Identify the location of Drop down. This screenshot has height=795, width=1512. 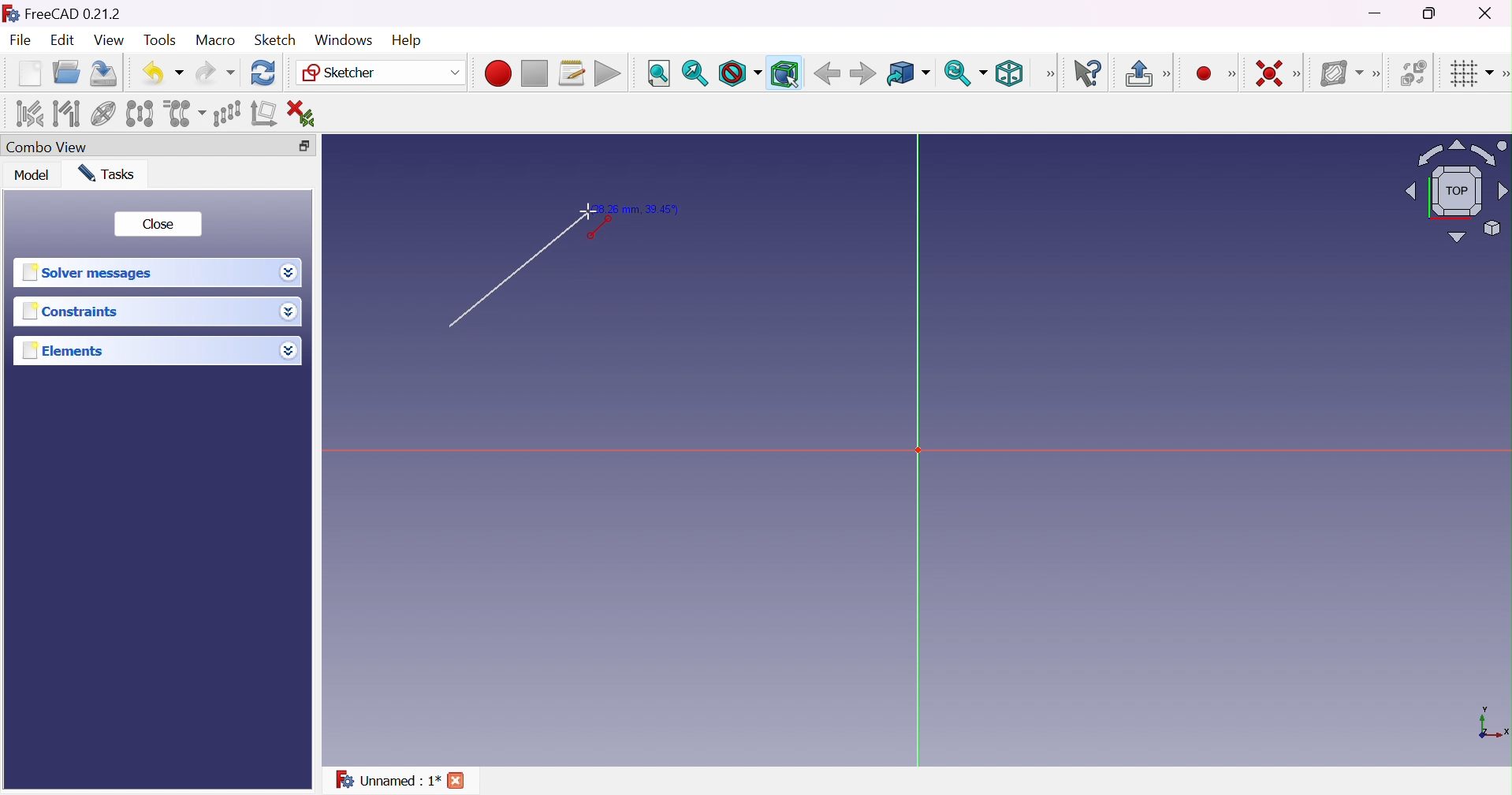
(291, 353).